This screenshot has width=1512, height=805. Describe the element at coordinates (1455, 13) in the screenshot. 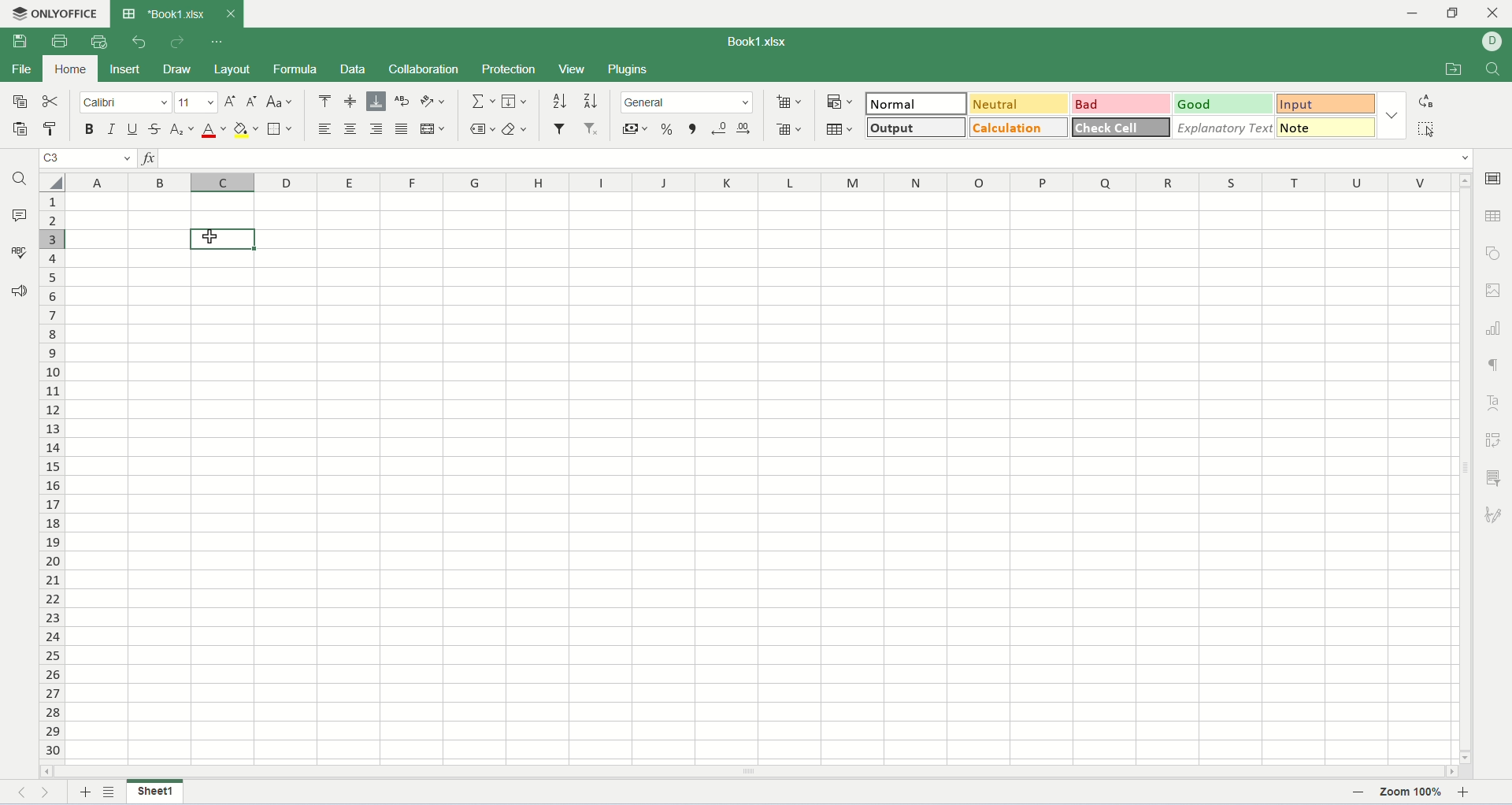

I see `maximize` at that location.